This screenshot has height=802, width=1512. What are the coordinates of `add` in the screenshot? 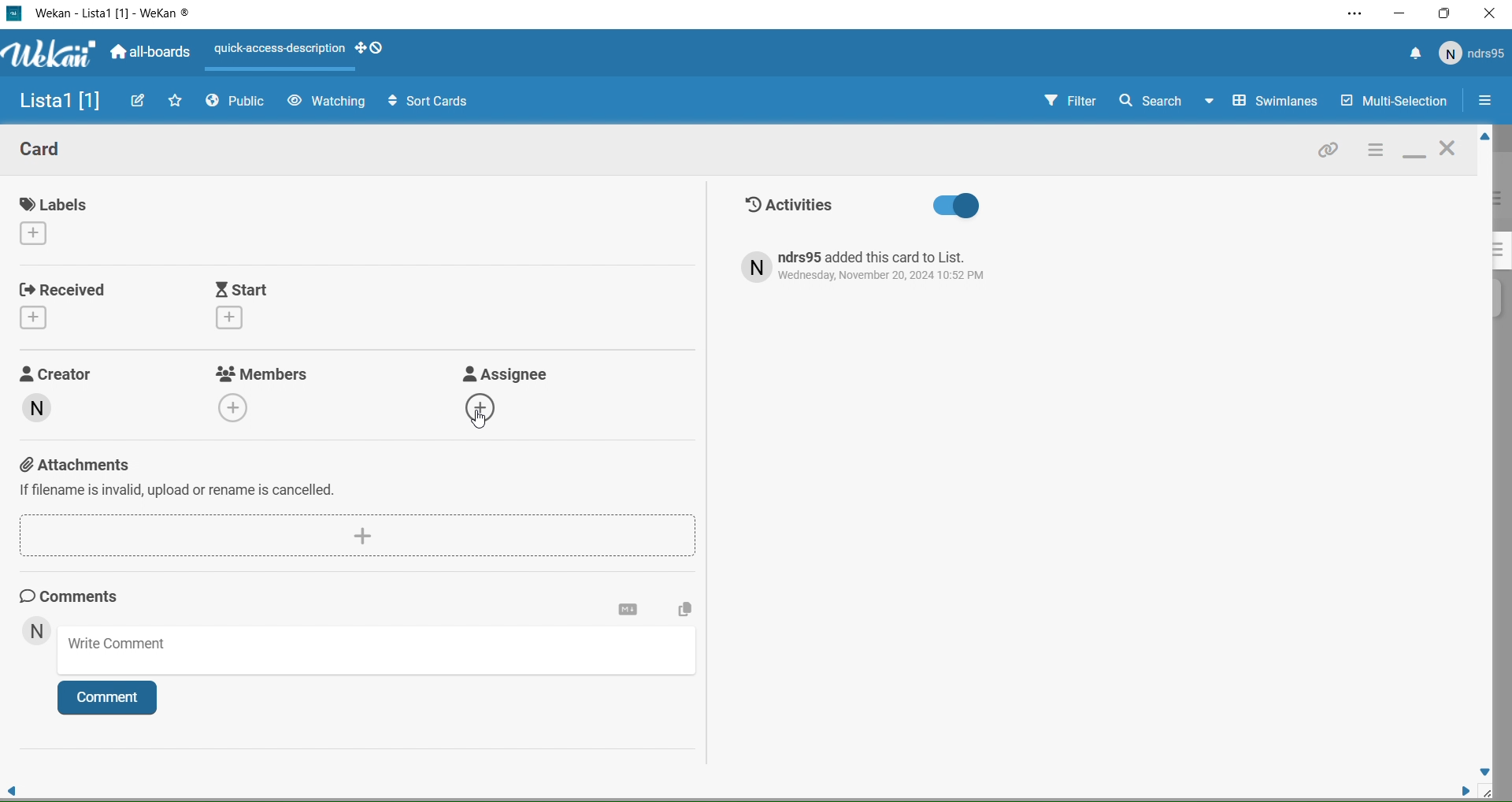 It's located at (363, 534).